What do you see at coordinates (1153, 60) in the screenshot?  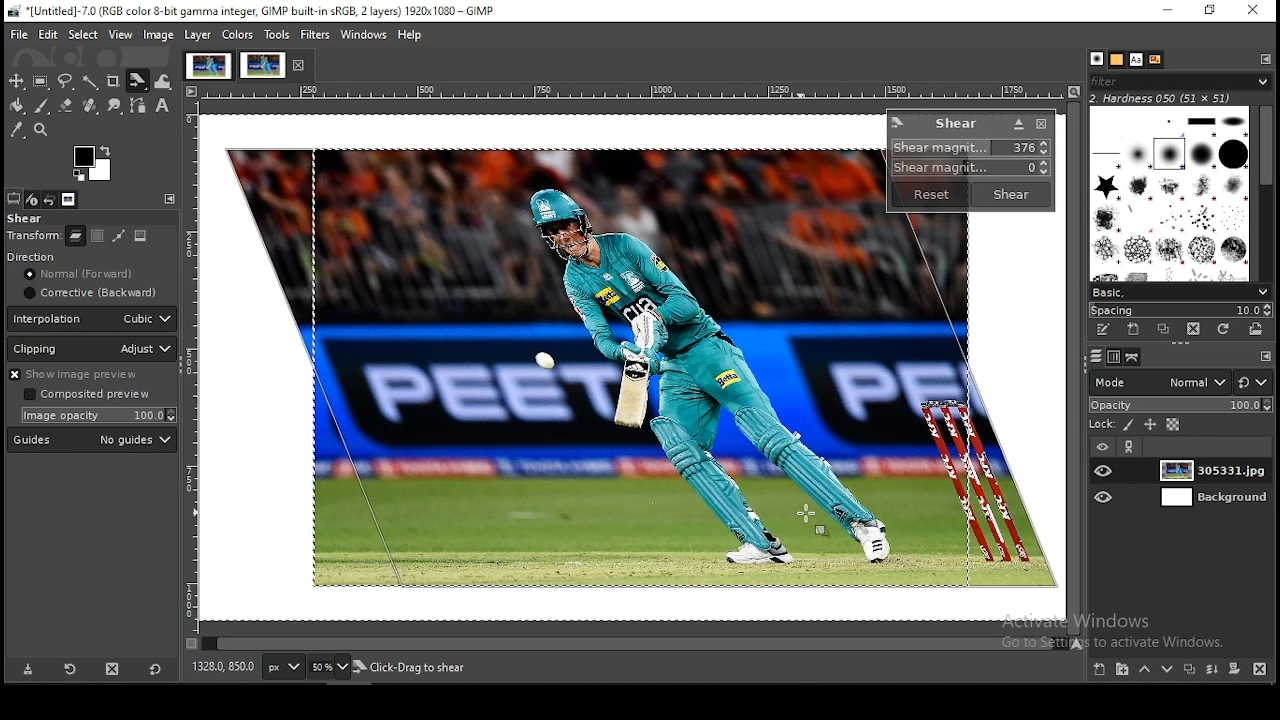 I see `document history` at bounding box center [1153, 60].